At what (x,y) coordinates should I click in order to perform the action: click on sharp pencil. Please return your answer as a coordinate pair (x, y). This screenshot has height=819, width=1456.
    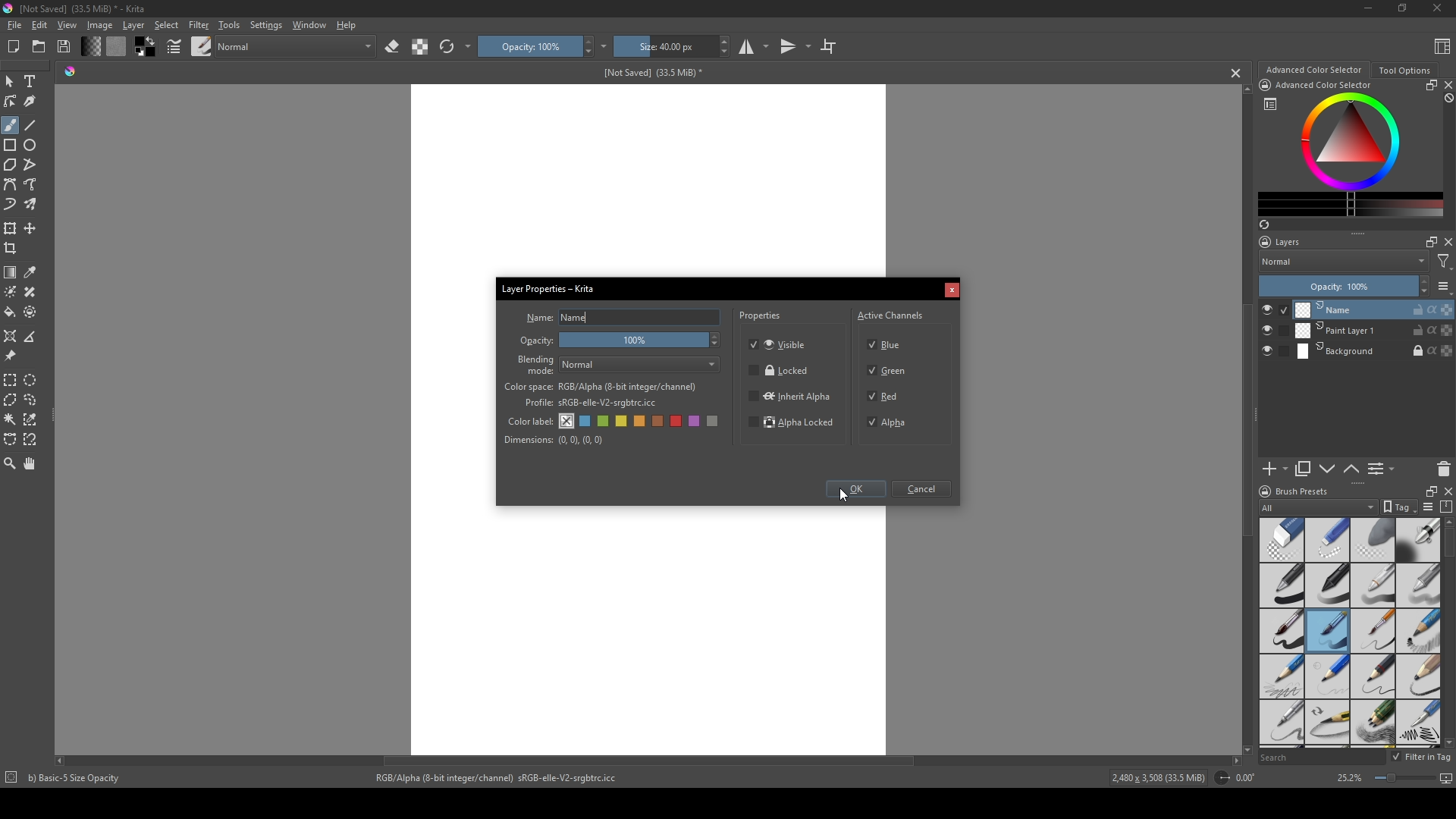
    Looking at the image, I should click on (1281, 723).